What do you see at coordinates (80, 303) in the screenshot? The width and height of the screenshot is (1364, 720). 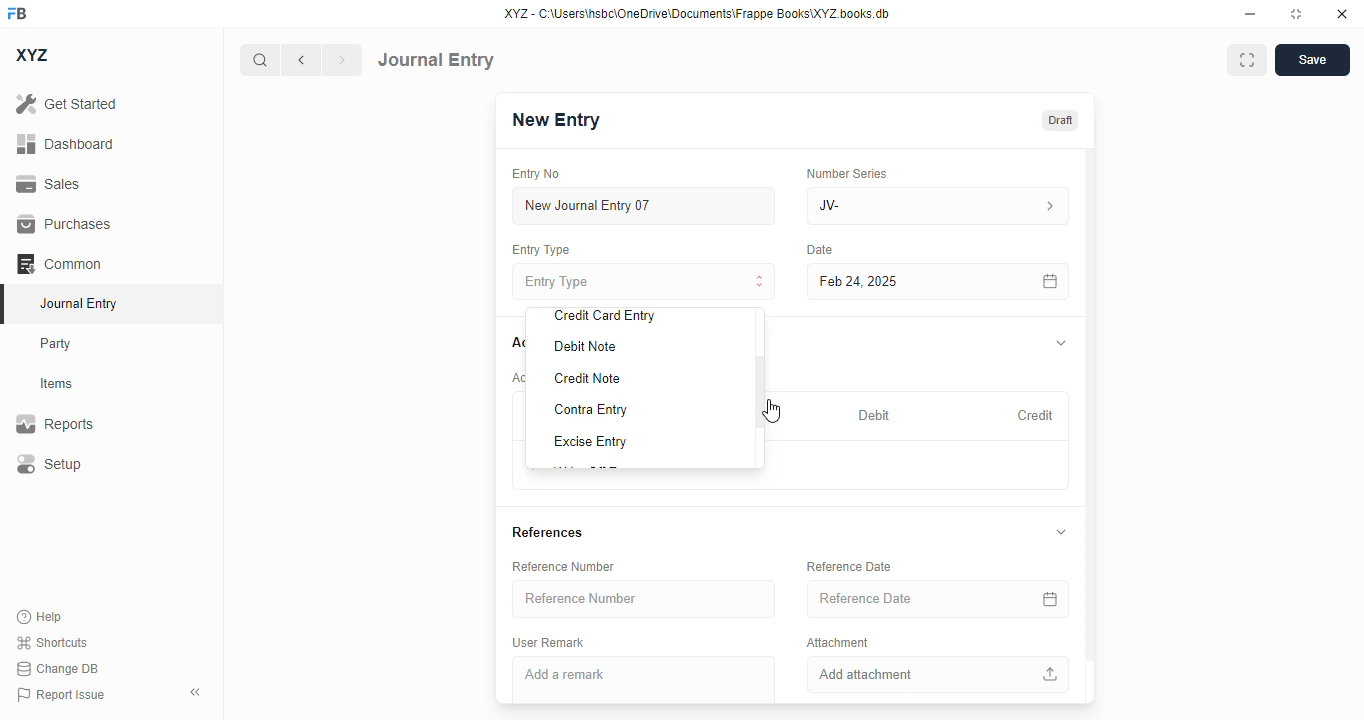 I see `journal entry` at bounding box center [80, 303].